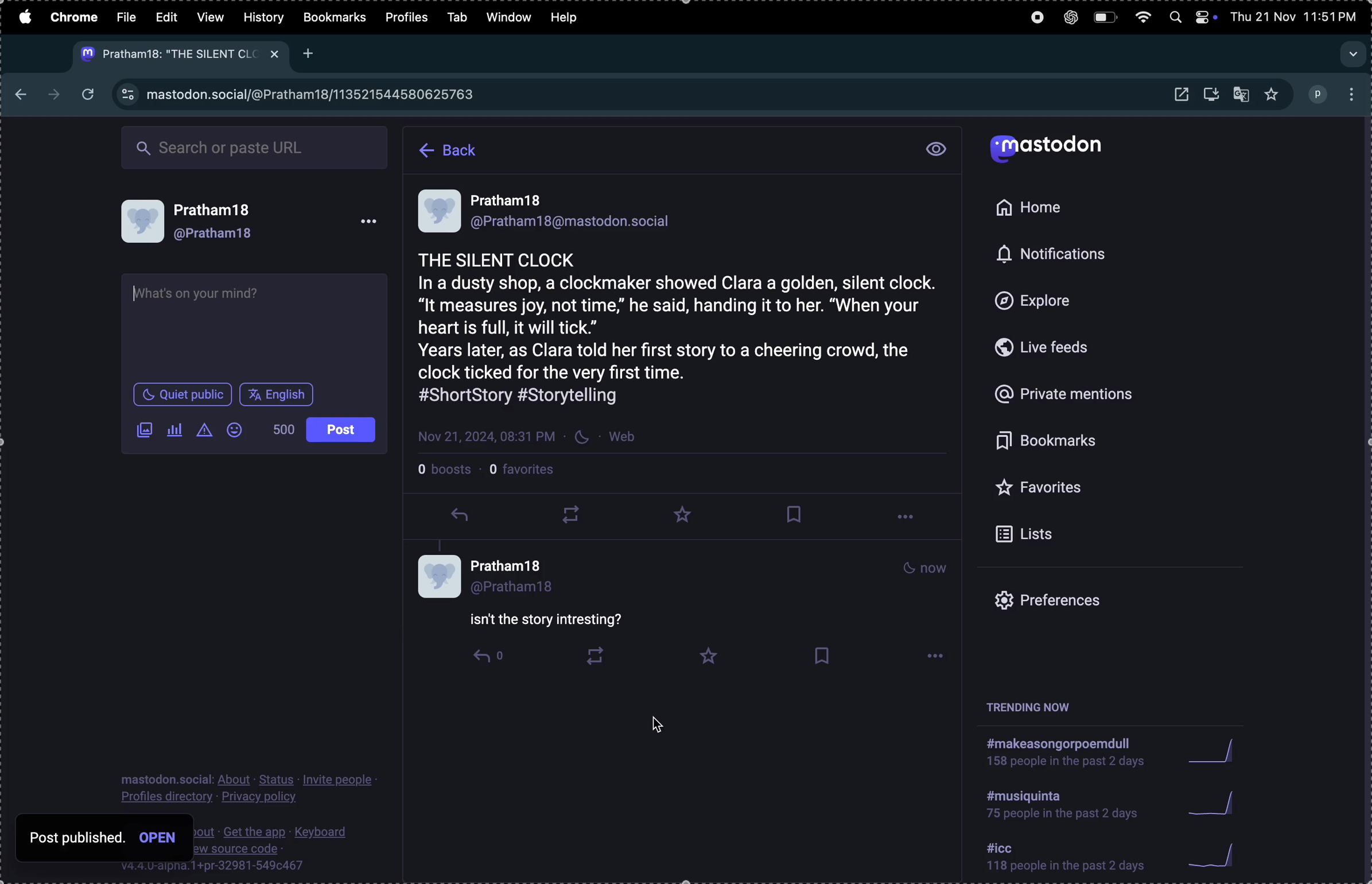 The image size is (1372, 884). I want to click on record, so click(1033, 18).